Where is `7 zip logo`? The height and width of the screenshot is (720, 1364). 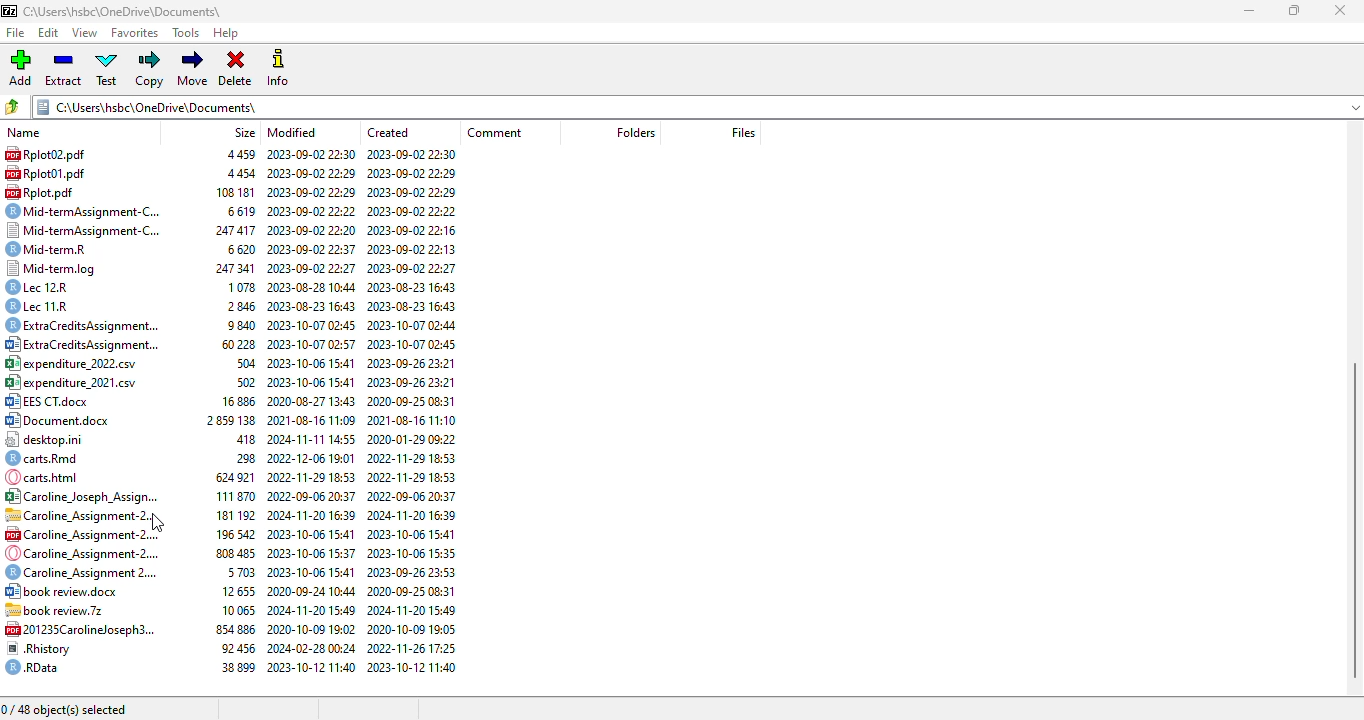 7 zip logo is located at coordinates (10, 12).